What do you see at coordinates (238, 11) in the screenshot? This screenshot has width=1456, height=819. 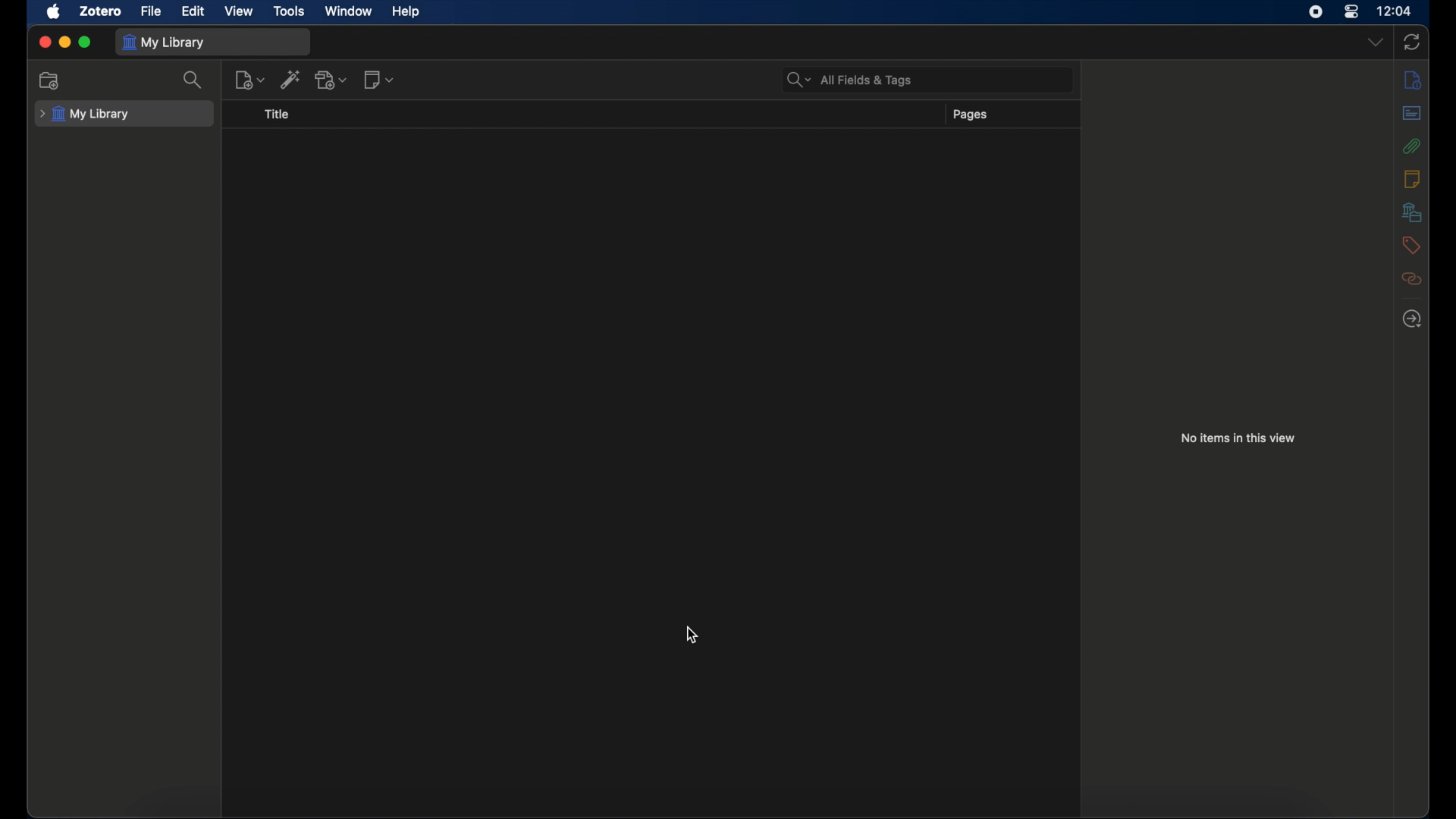 I see `view` at bounding box center [238, 11].